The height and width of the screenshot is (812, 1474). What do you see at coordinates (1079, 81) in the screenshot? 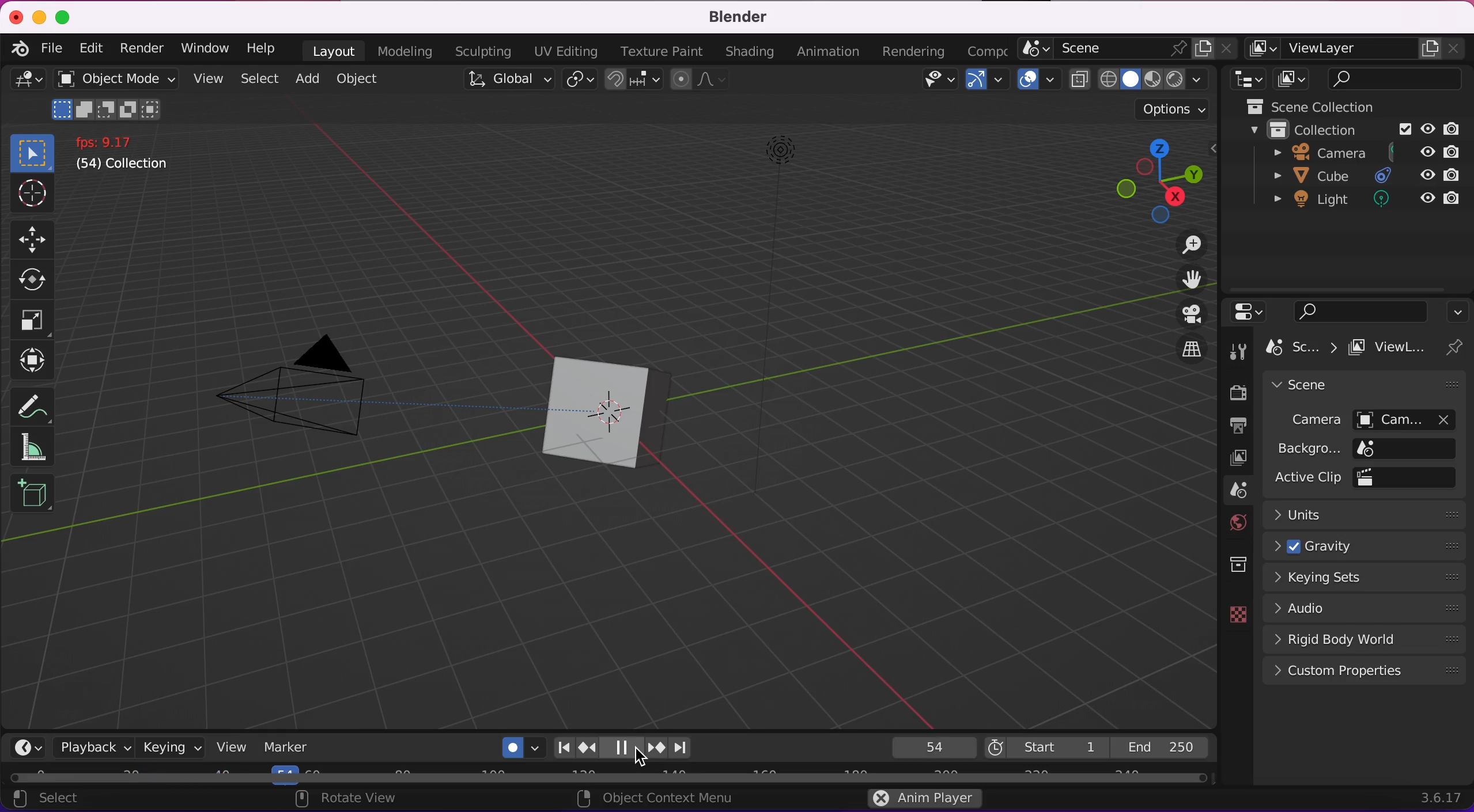
I see `toggle x ray` at bounding box center [1079, 81].